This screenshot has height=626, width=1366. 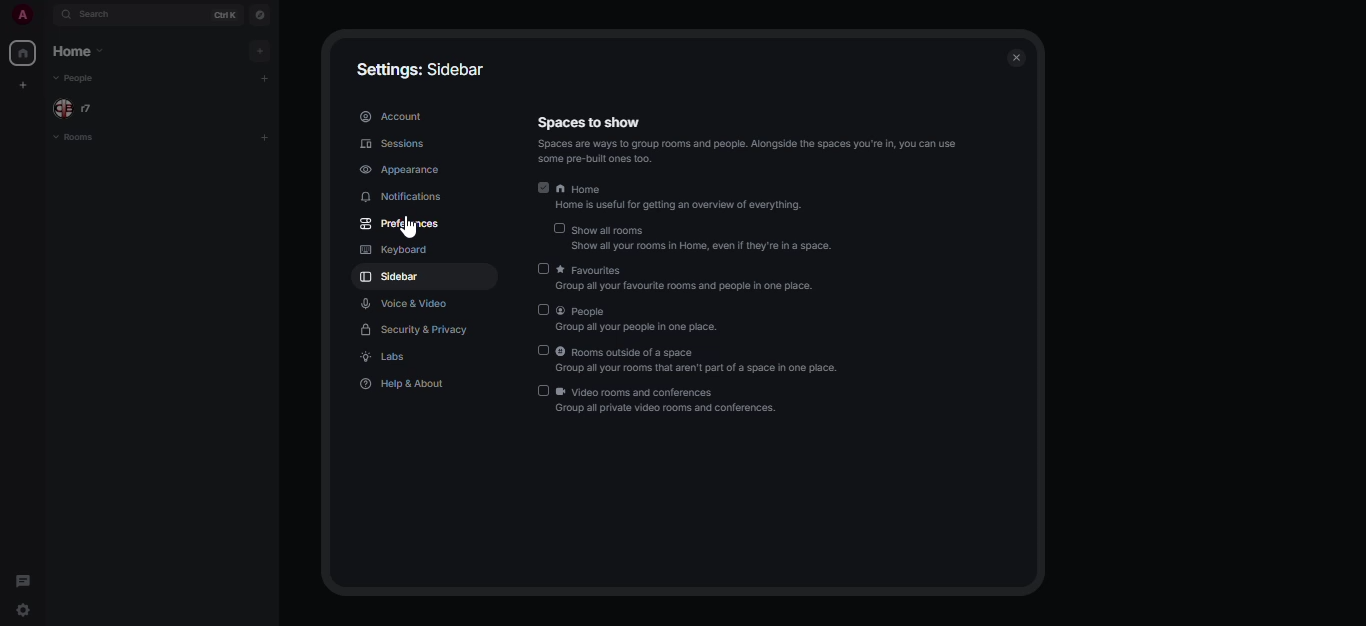 What do you see at coordinates (410, 230) in the screenshot?
I see `cursor` at bounding box center [410, 230].